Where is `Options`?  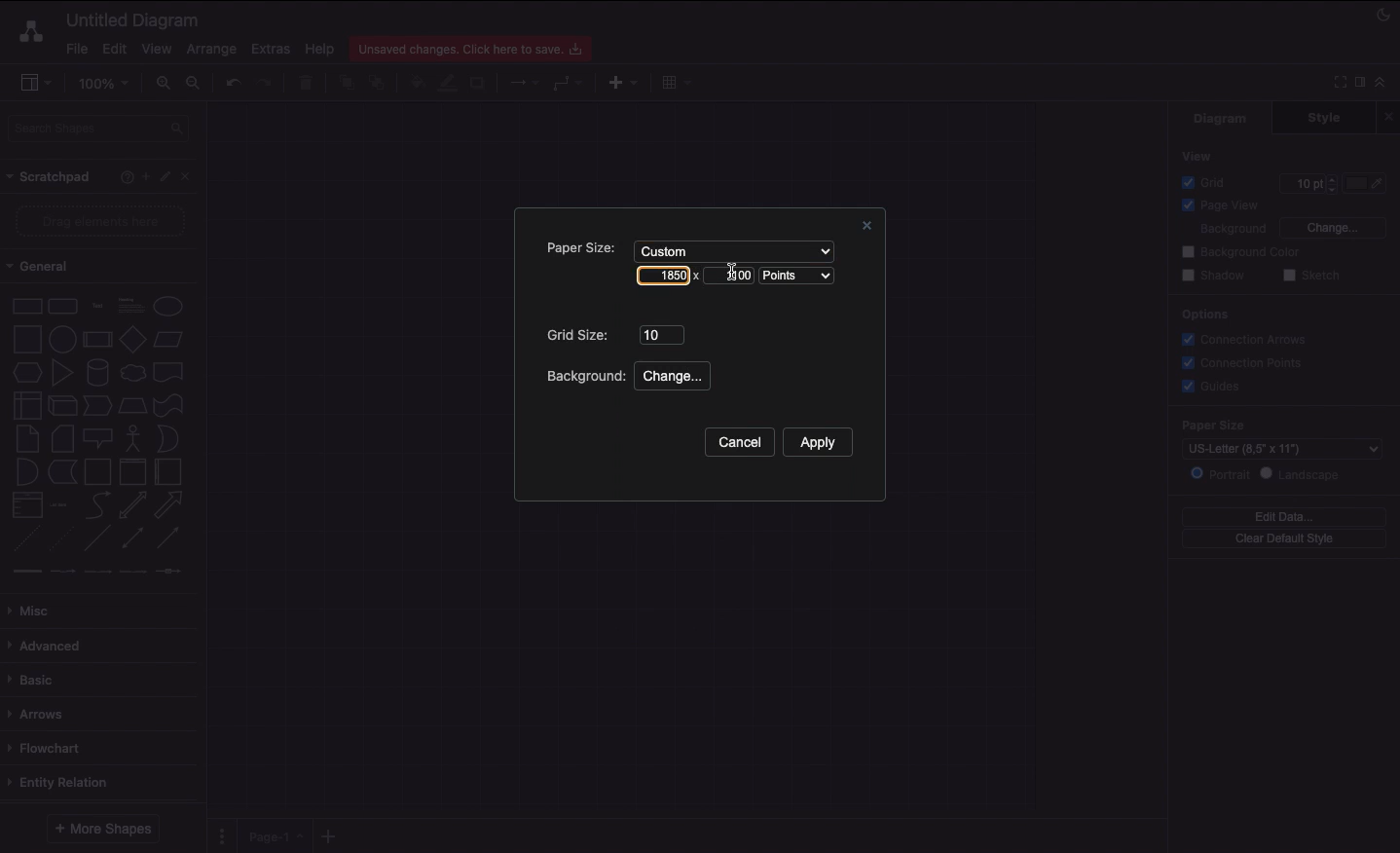 Options is located at coordinates (1203, 314).